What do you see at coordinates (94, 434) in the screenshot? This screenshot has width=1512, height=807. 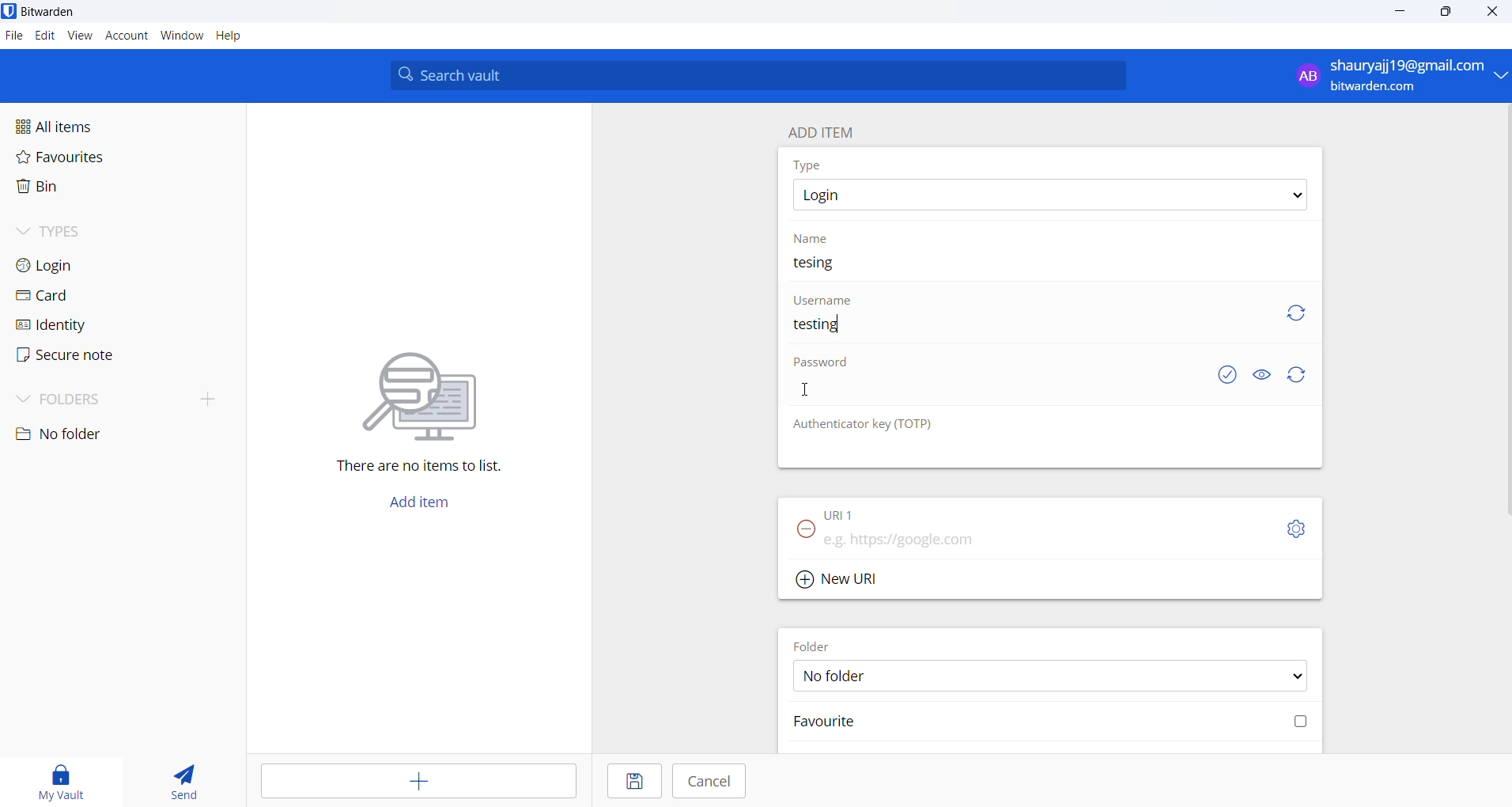 I see `no folder` at bounding box center [94, 434].